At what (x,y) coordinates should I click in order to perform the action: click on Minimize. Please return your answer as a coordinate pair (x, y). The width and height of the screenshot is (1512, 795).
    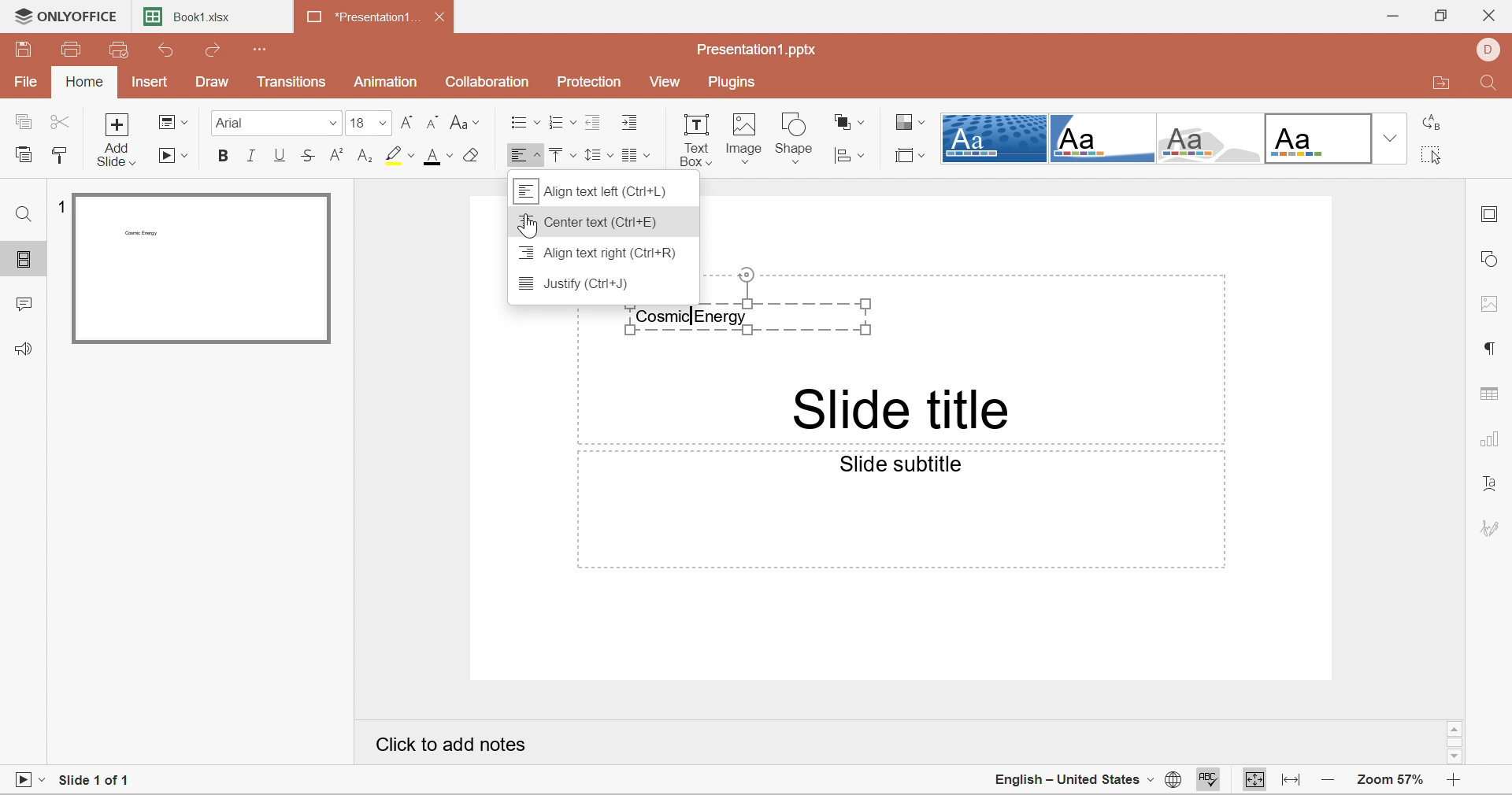
    Looking at the image, I should click on (1391, 17).